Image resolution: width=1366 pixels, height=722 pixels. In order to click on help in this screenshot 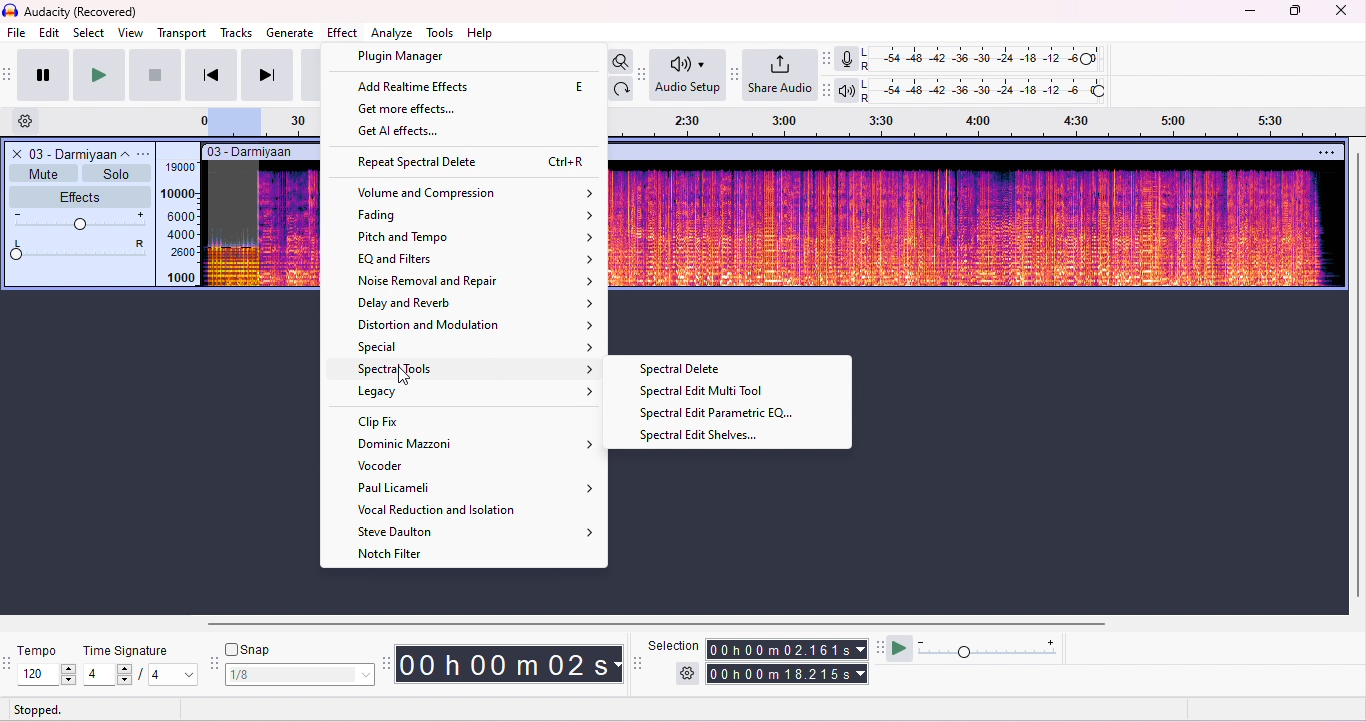, I will do `click(482, 32)`.